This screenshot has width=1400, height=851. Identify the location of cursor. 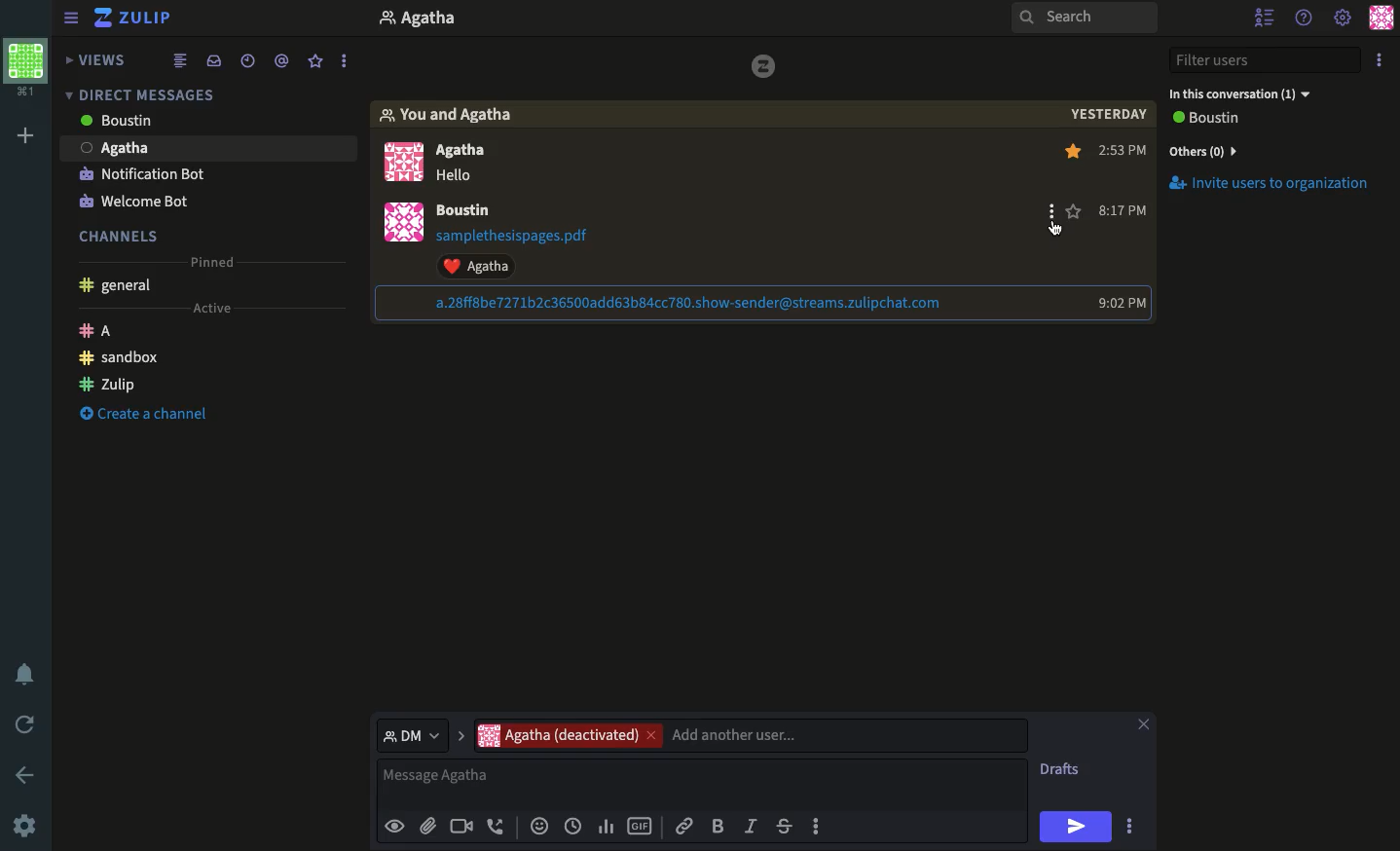
(1057, 231).